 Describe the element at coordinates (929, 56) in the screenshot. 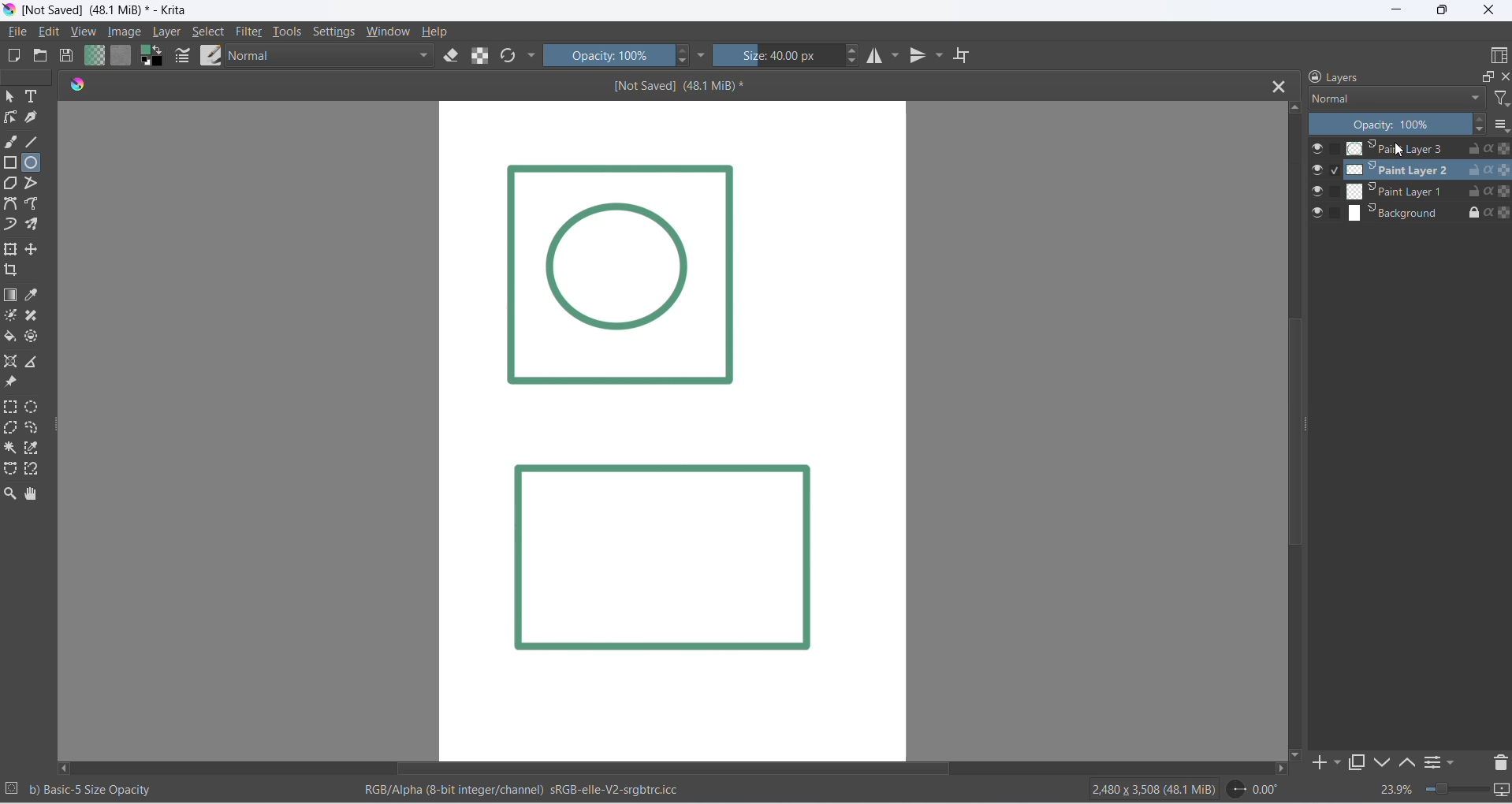

I see `vertical mirror tool` at that location.